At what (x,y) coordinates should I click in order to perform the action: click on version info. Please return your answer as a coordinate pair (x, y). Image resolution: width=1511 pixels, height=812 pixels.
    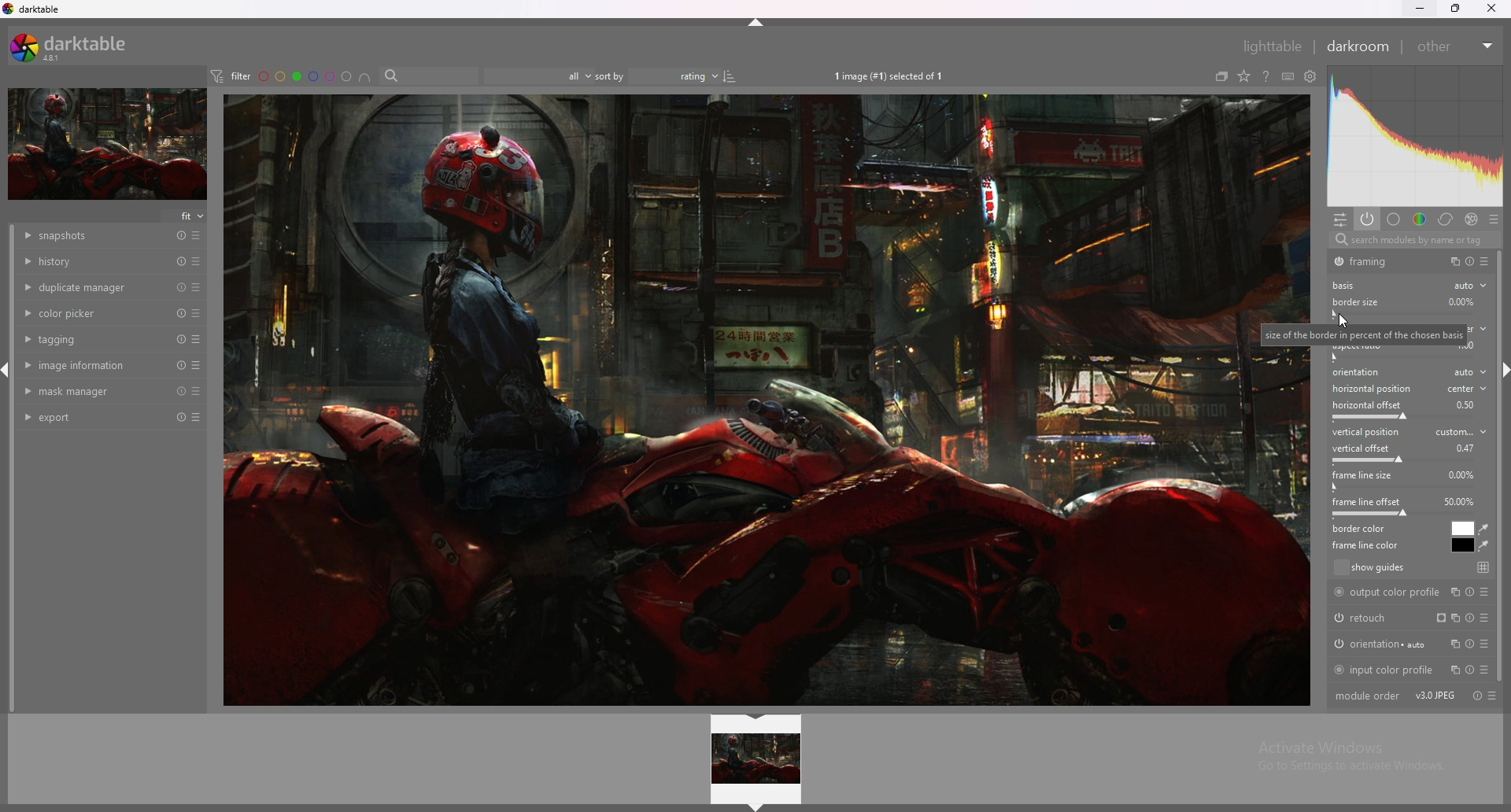
    Looking at the image, I should click on (1435, 696).